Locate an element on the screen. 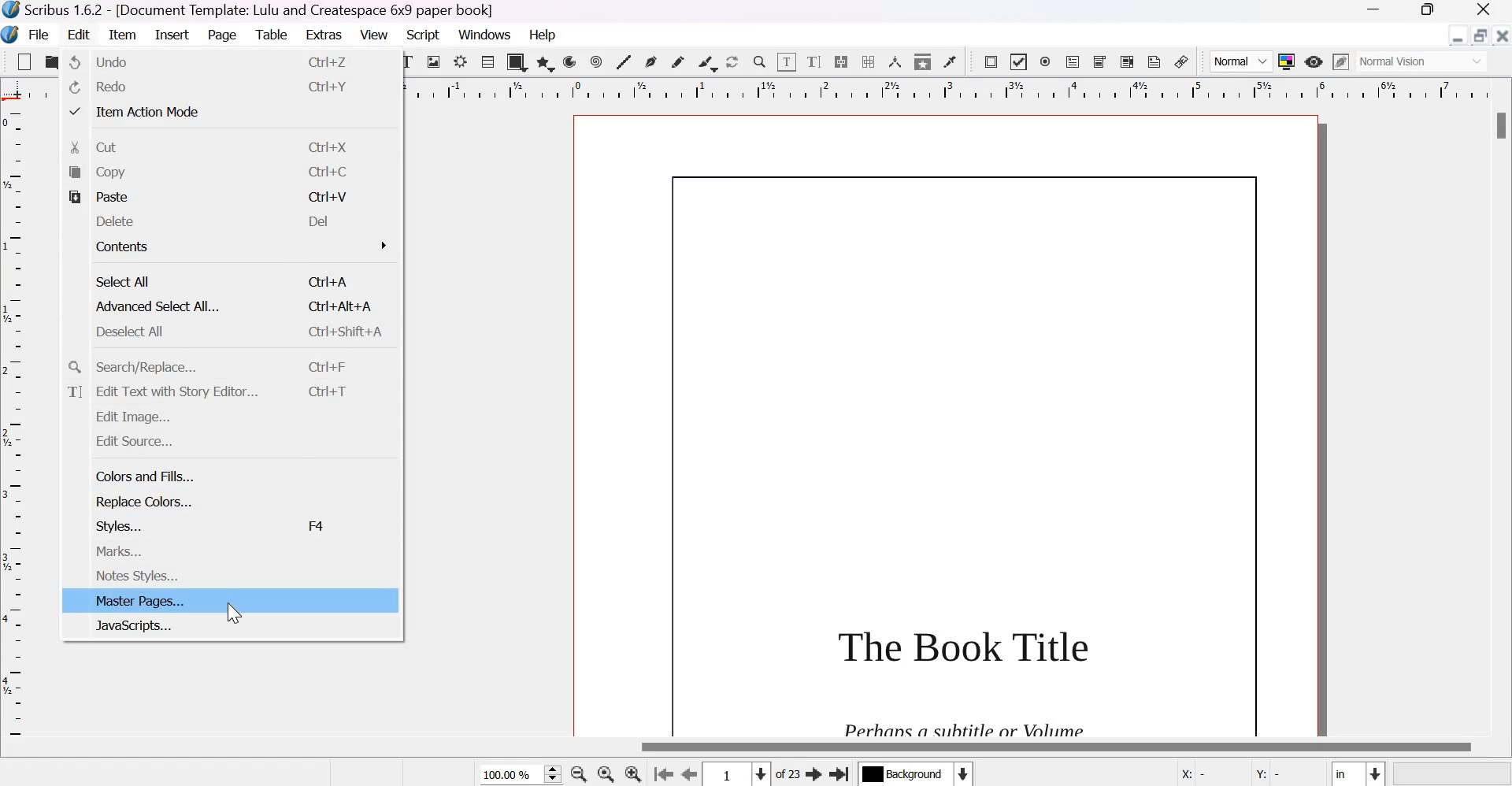  paste is located at coordinates (227, 198).